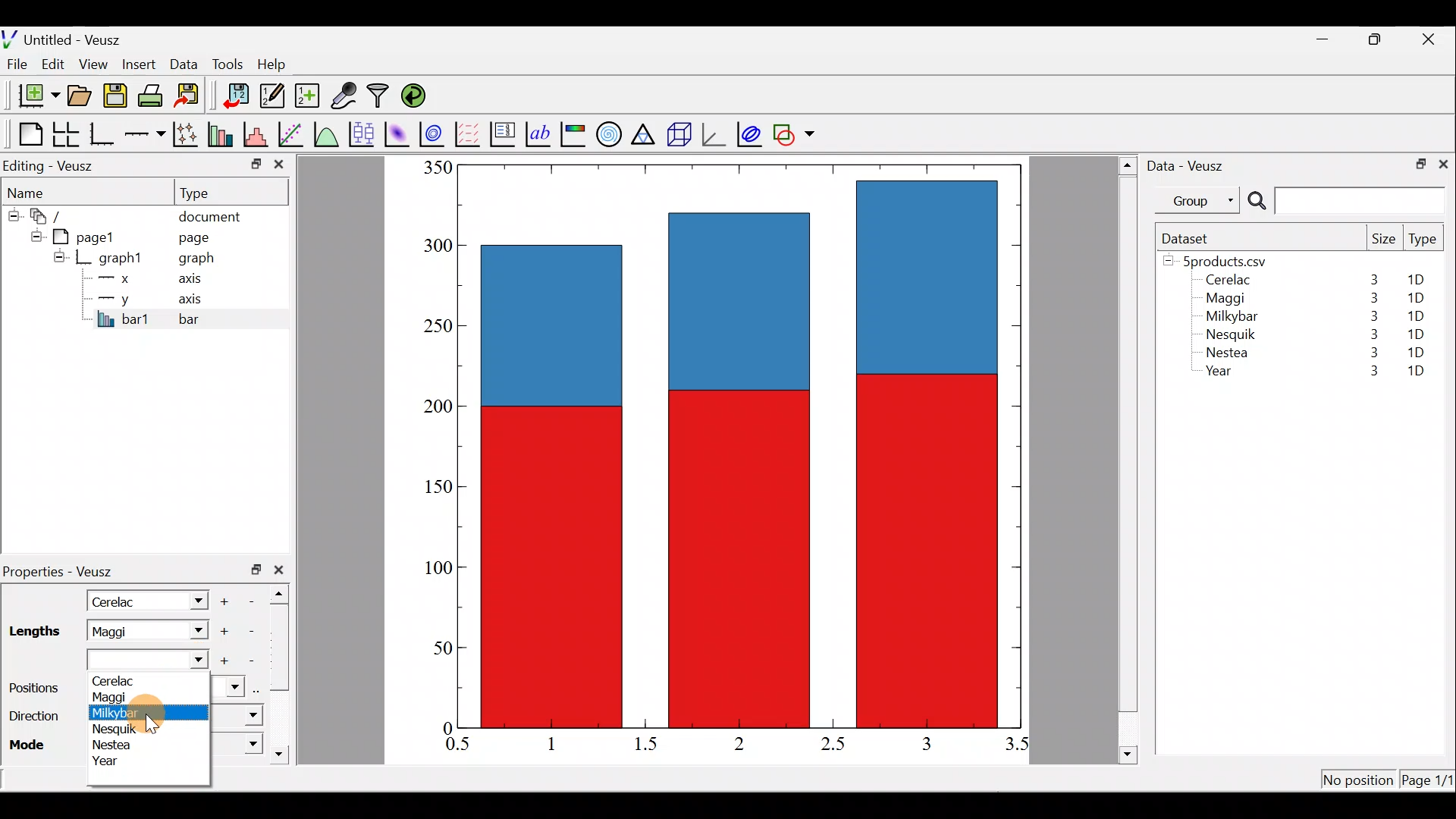  Describe the element at coordinates (751, 133) in the screenshot. I see `plot covariance ellipses` at that location.